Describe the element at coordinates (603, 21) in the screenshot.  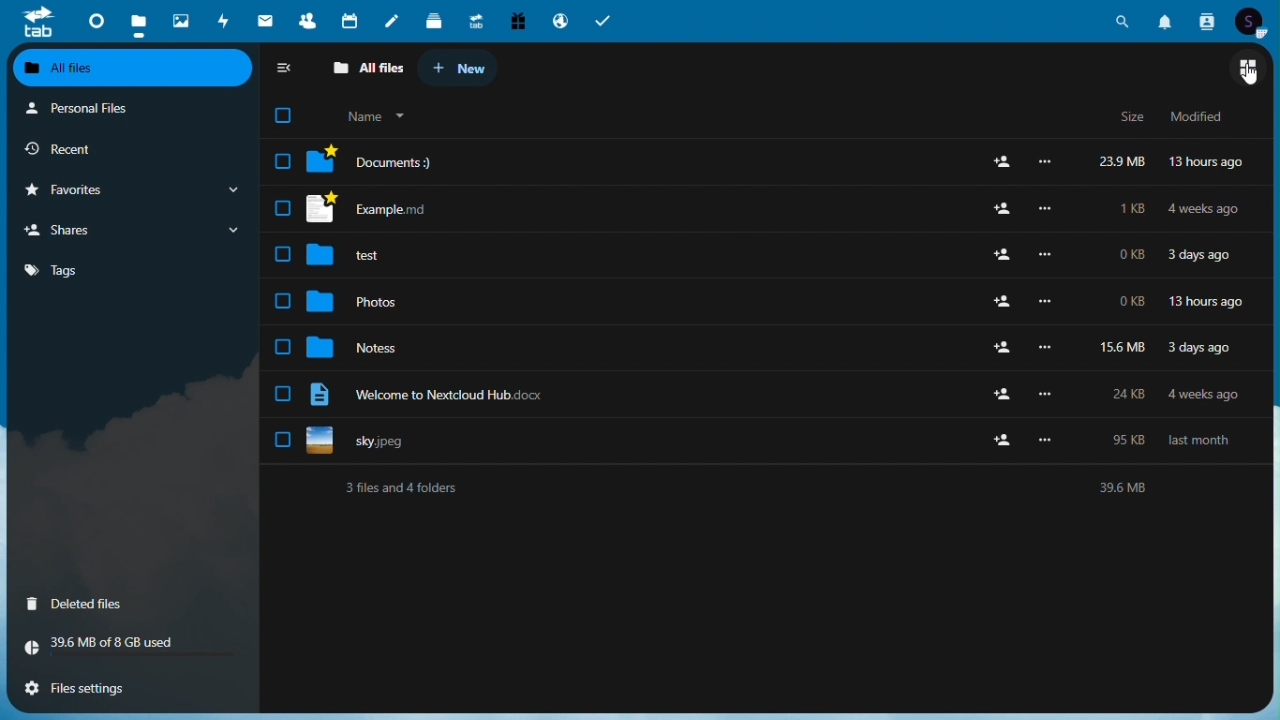
I see `tasks` at that location.